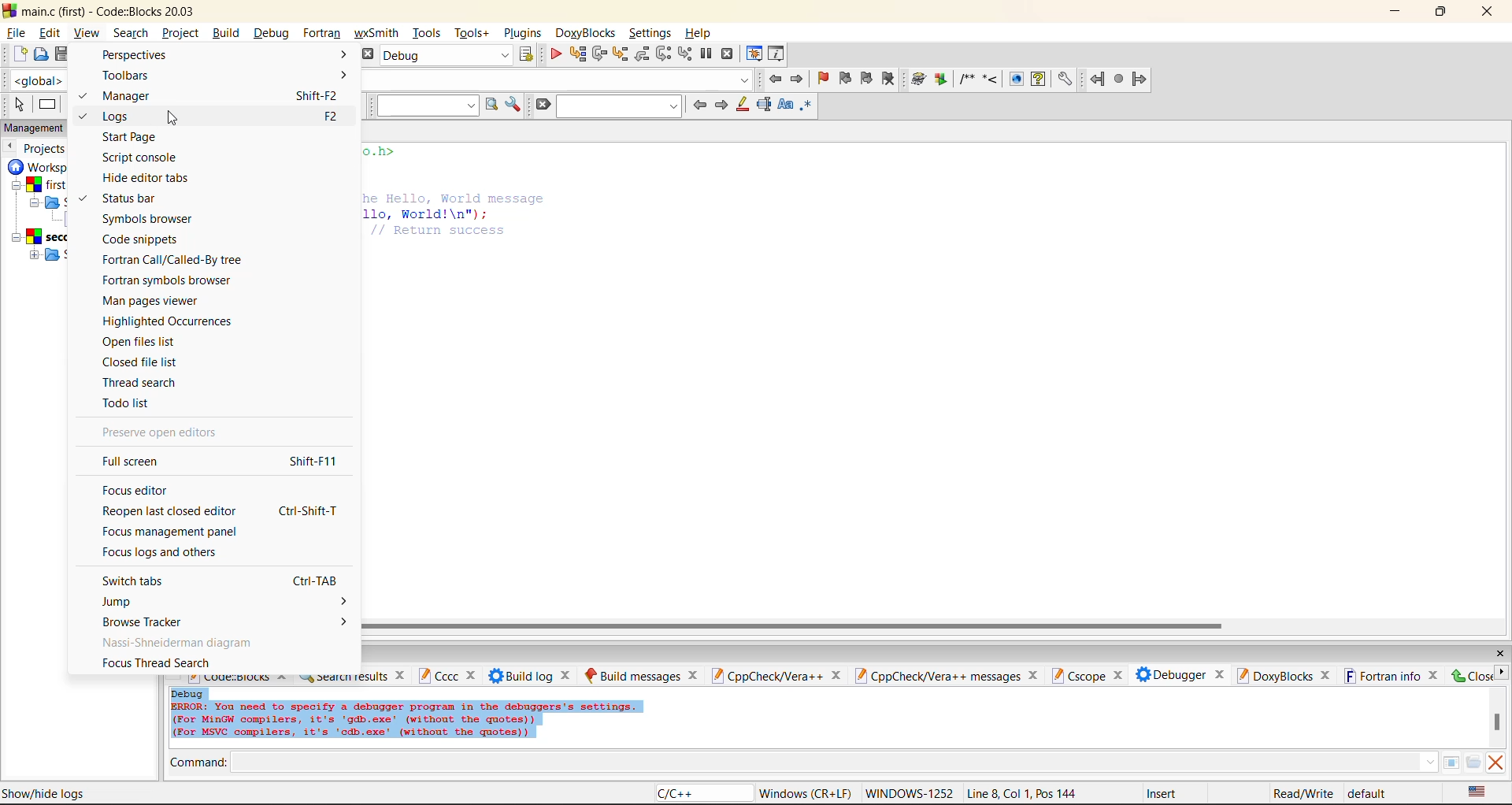 Image resolution: width=1512 pixels, height=805 pixels. Describe the element at coordinates (821, 762) in the screenshot. I see `command` at that location.